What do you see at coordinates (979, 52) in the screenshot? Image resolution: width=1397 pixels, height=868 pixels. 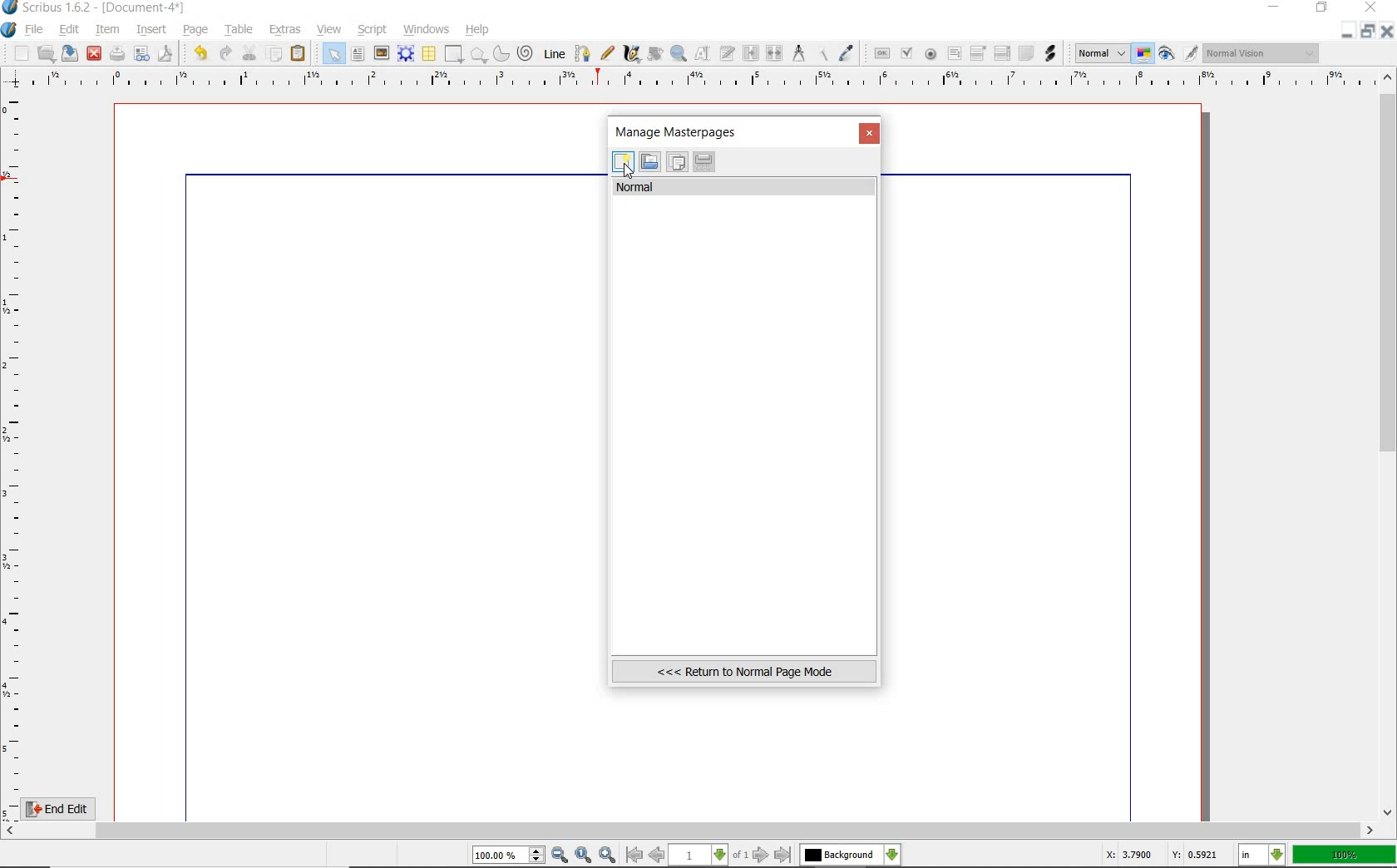 I see `pdf combo box` at bounding box center [979, 52].